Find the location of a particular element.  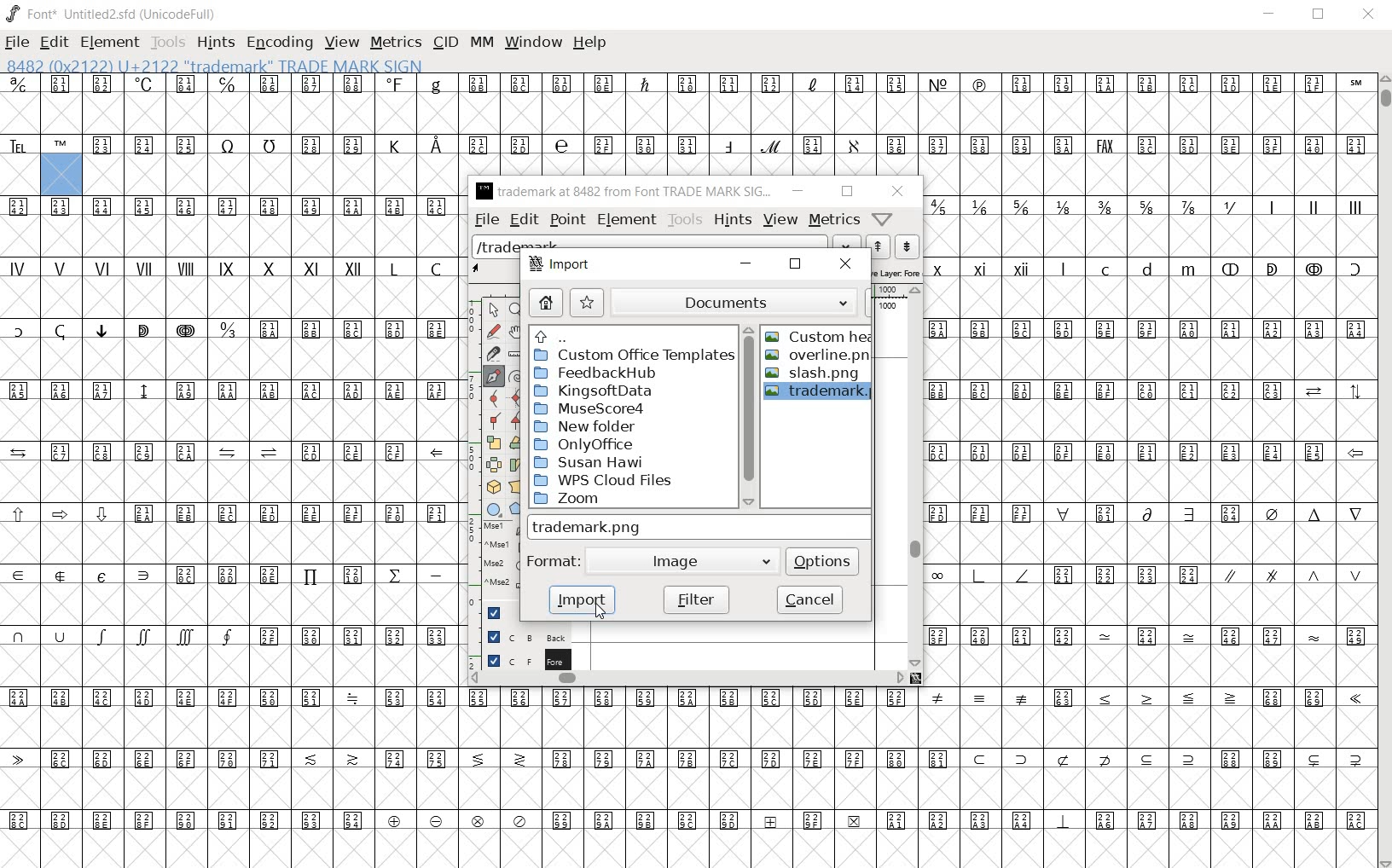

add a curve point always either horizontal or vertical is located at coordinates (518, 397).